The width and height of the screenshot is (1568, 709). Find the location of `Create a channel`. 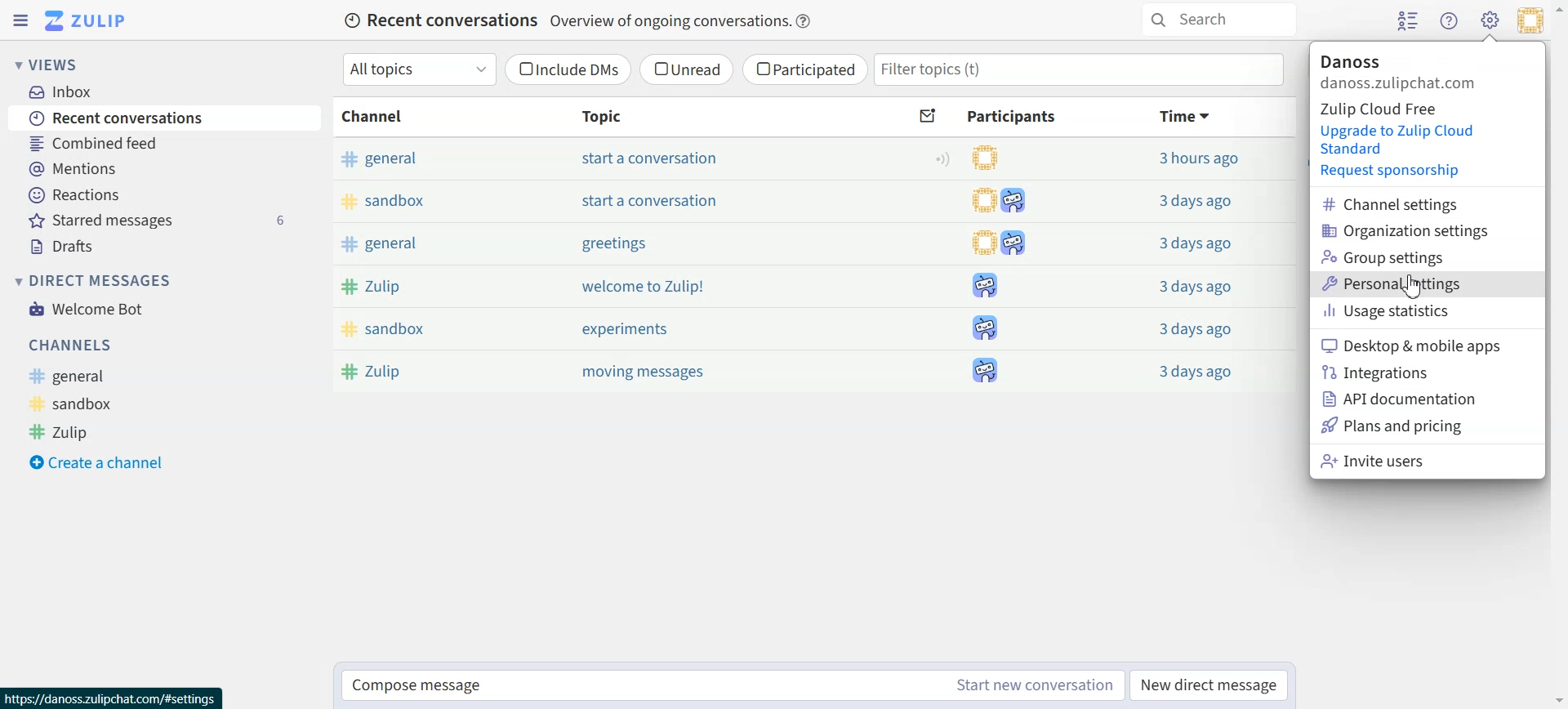

Create a channel is located at coordinates (96, 463).